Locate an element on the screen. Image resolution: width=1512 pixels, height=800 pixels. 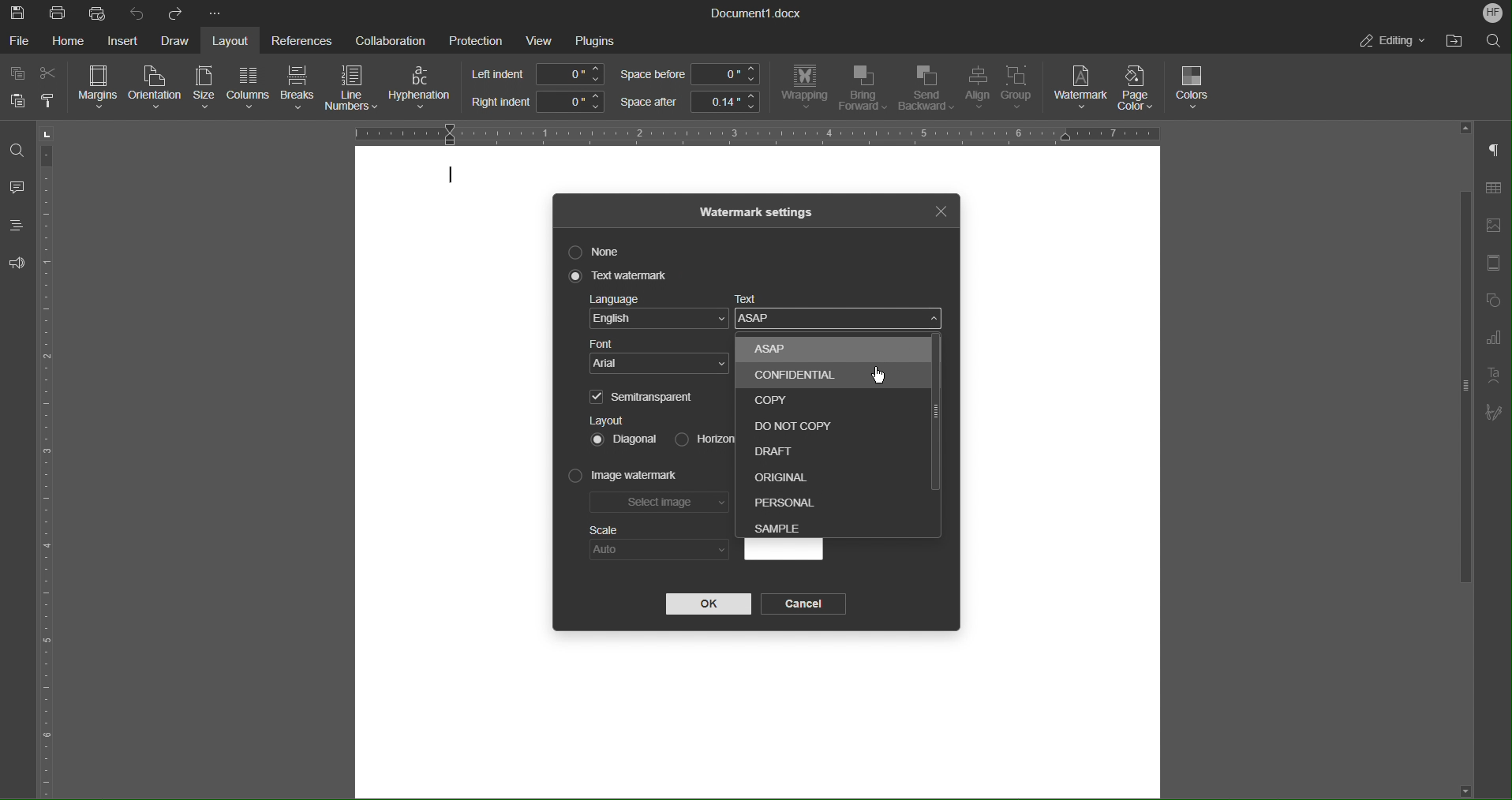
Bring Forward is located at coordinates (863, 88).